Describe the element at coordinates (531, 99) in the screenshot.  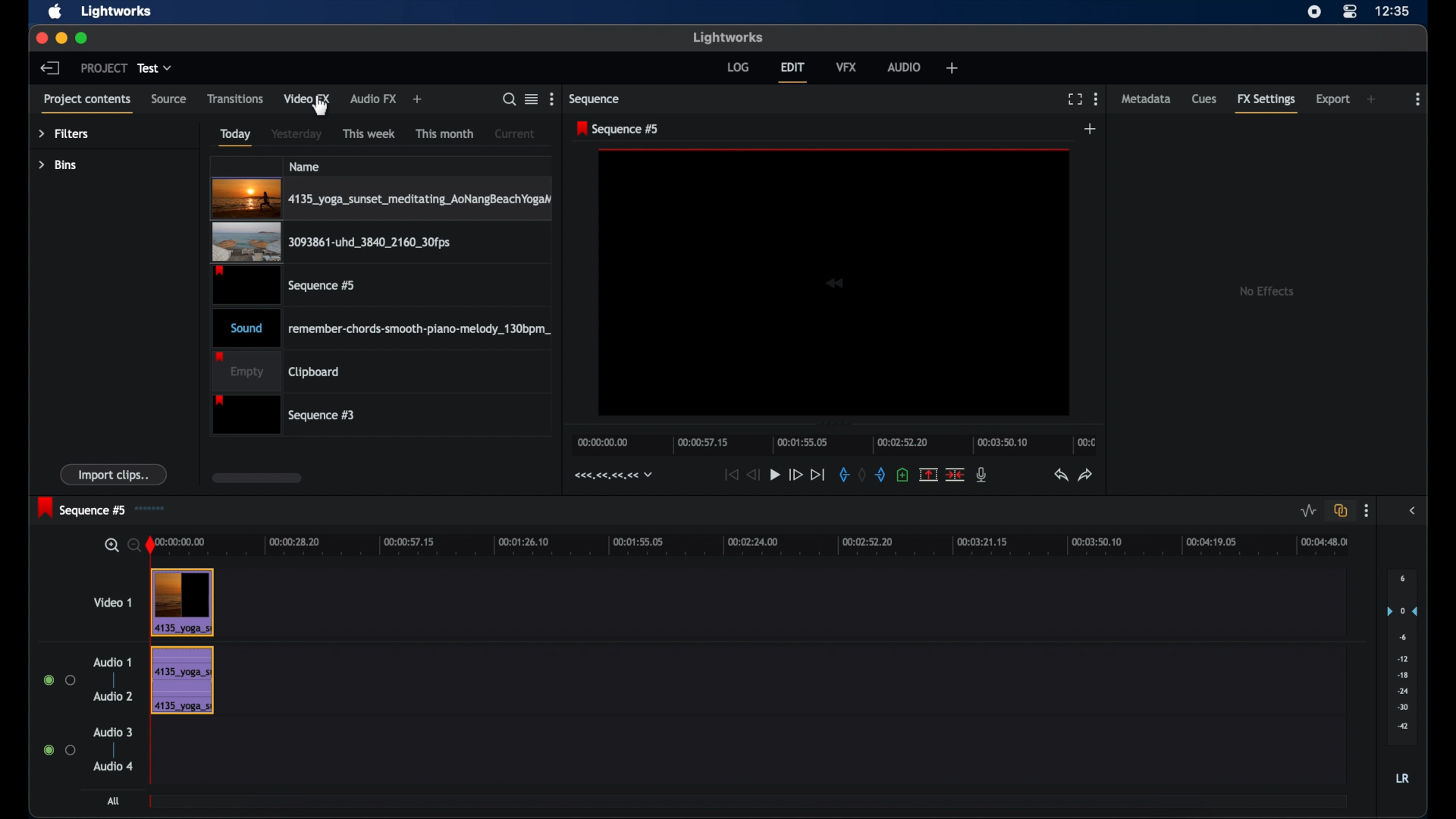
I see `options` at that location.